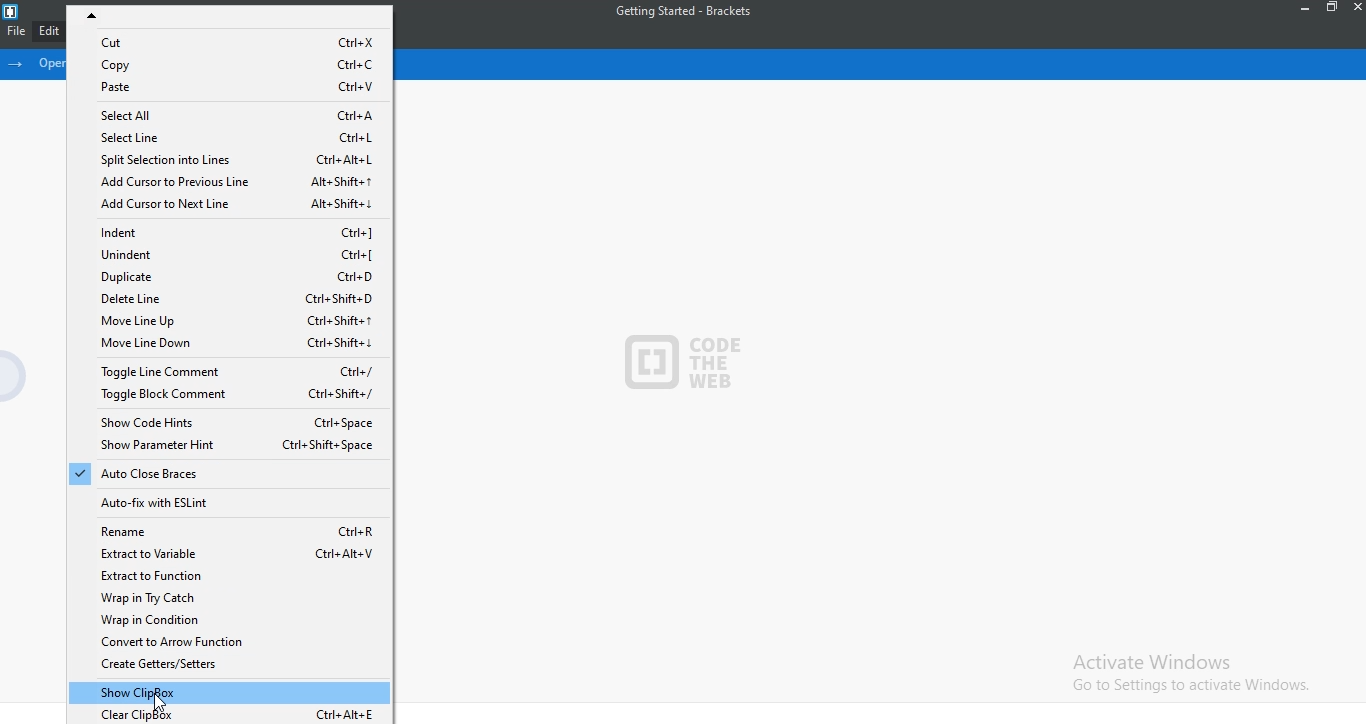 The width and height of the screenshot is (1366, 724). What do you see at coordinates (231, 576) in the screenshot?
I see `Extract to function` at bounding box center [231, 576].